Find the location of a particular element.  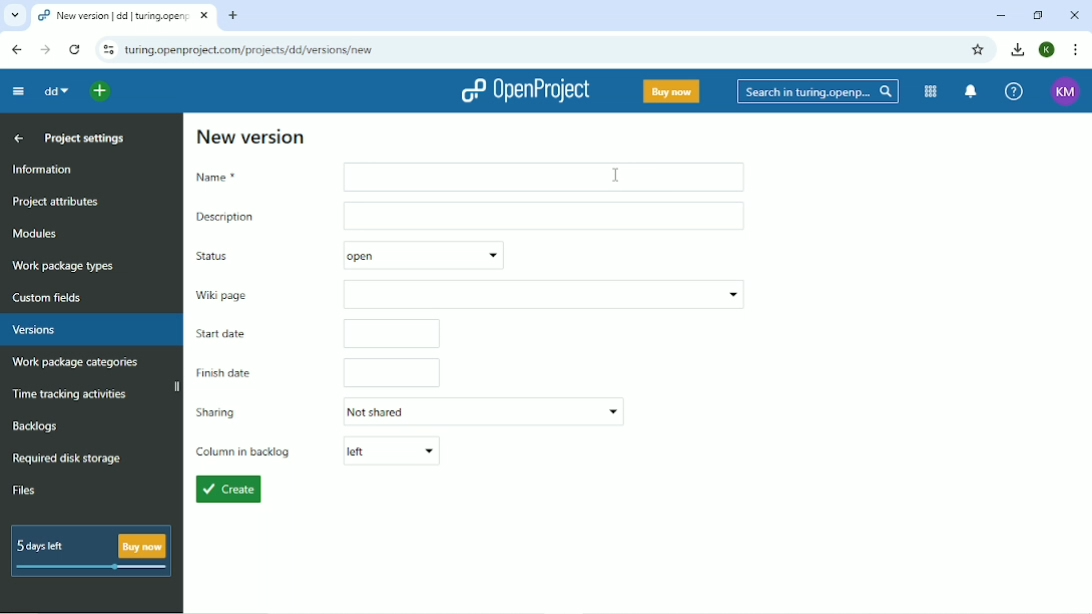

Forward is located at coordinates (46, 49).